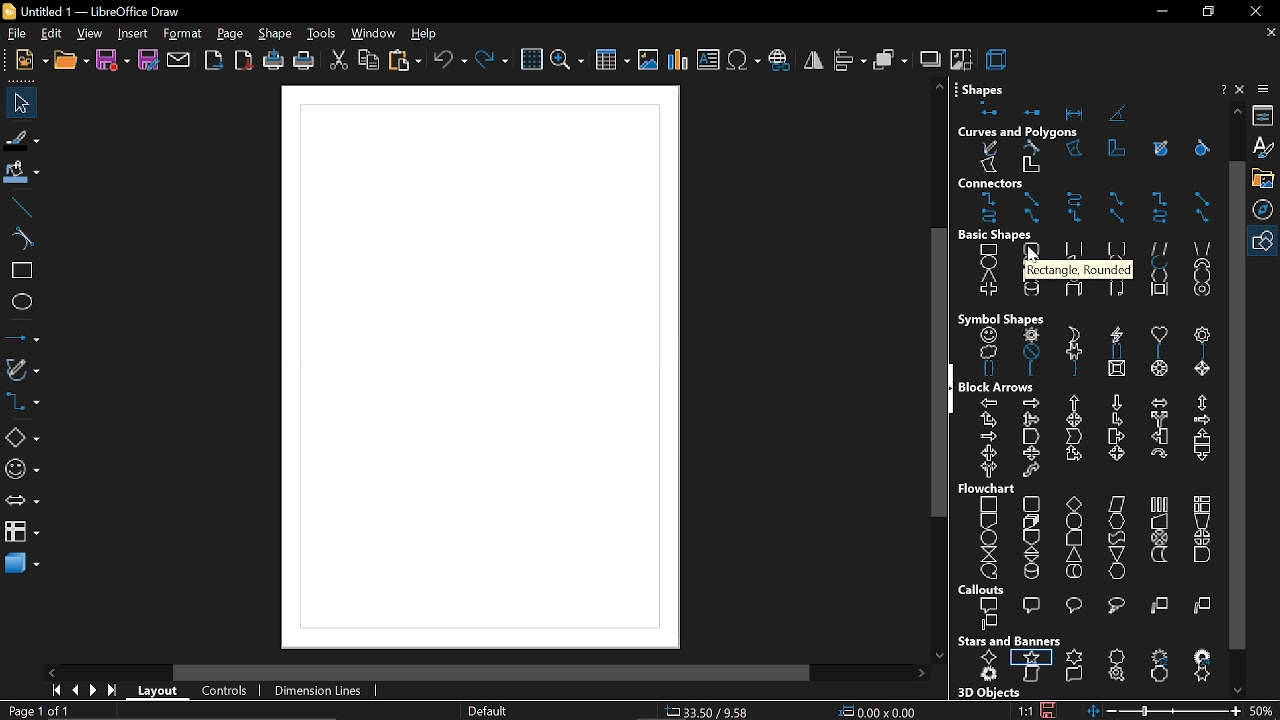 The image size is (1280, 720). I want to click on basic shapes, so click(1007, 235).